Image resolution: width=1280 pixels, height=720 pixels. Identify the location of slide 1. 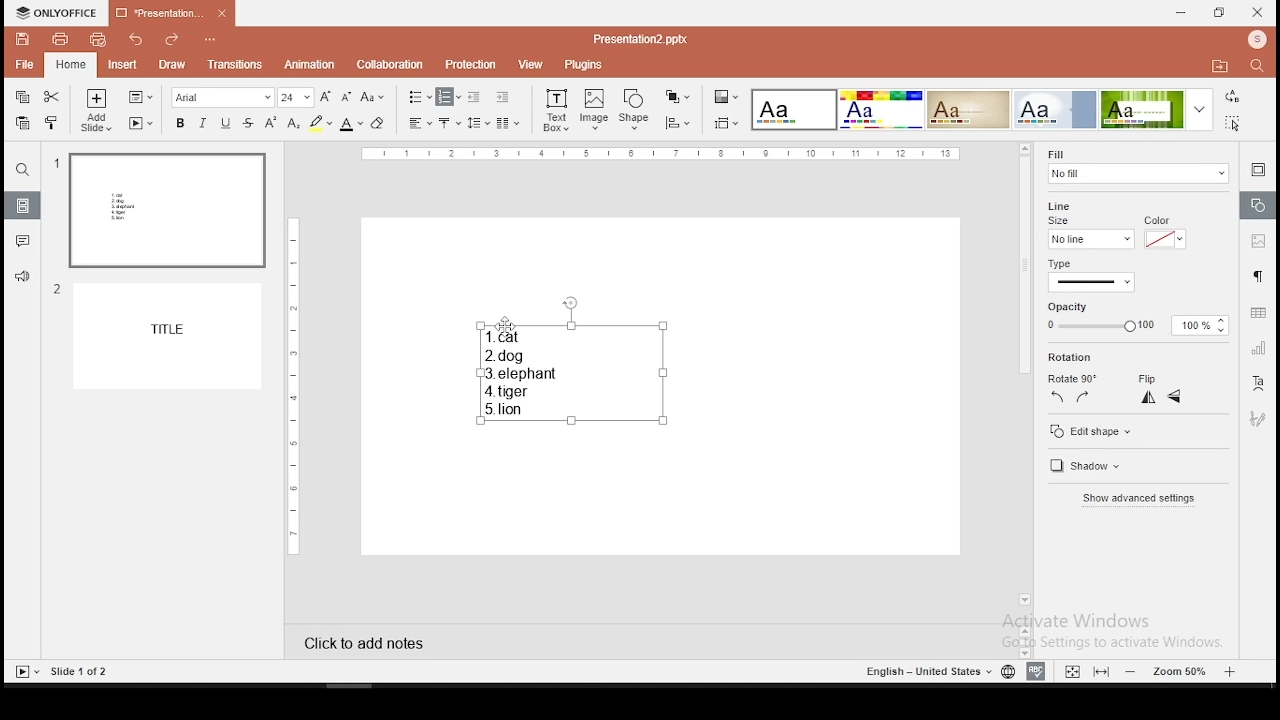
(166, 211).